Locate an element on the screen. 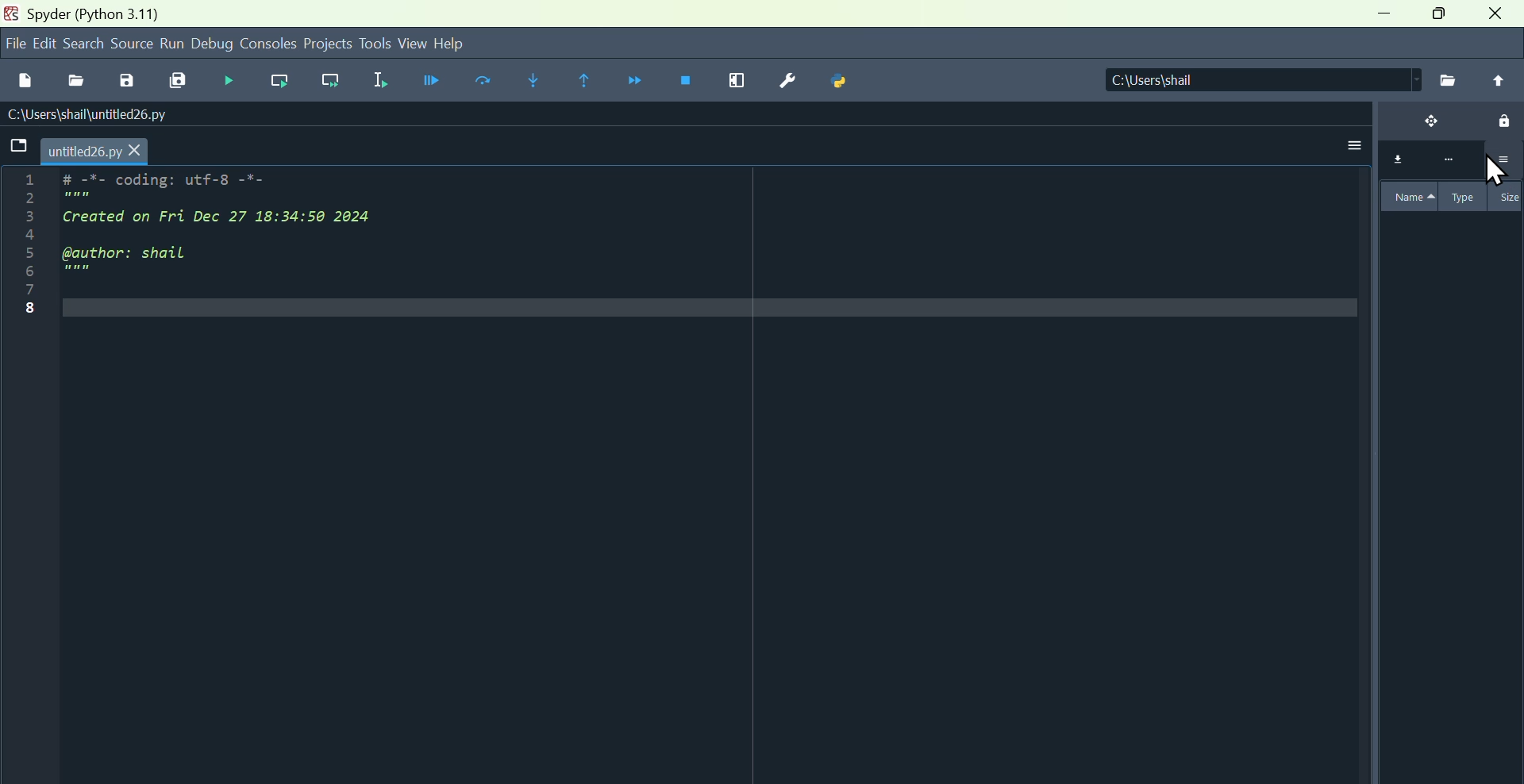  Run cell is located at coordinates (488, 83).